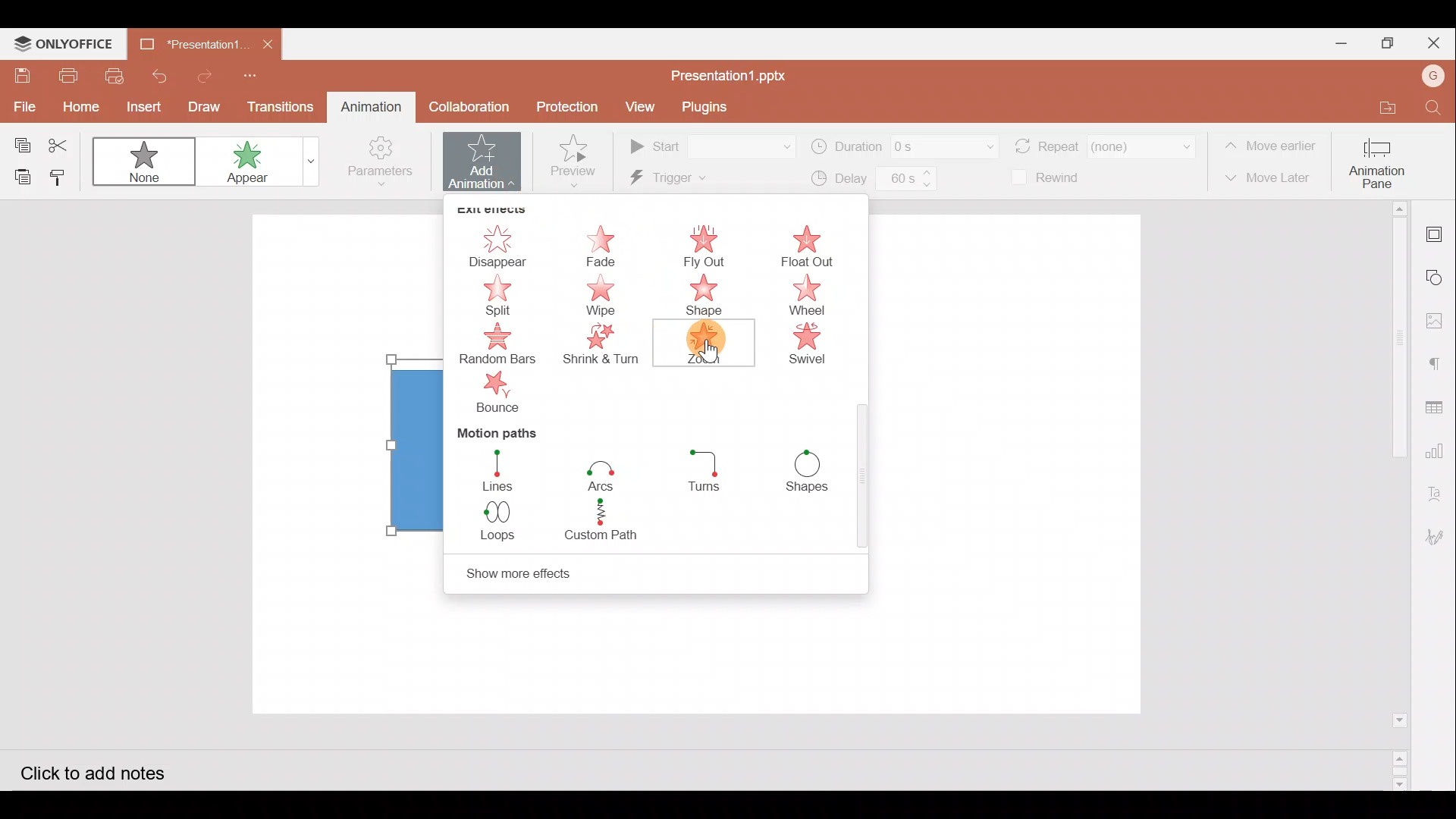 This screenshot has height=819, width=1456. Describe the element at coordinates (1433, 109) in the screenshot. I see `Find` at that location.